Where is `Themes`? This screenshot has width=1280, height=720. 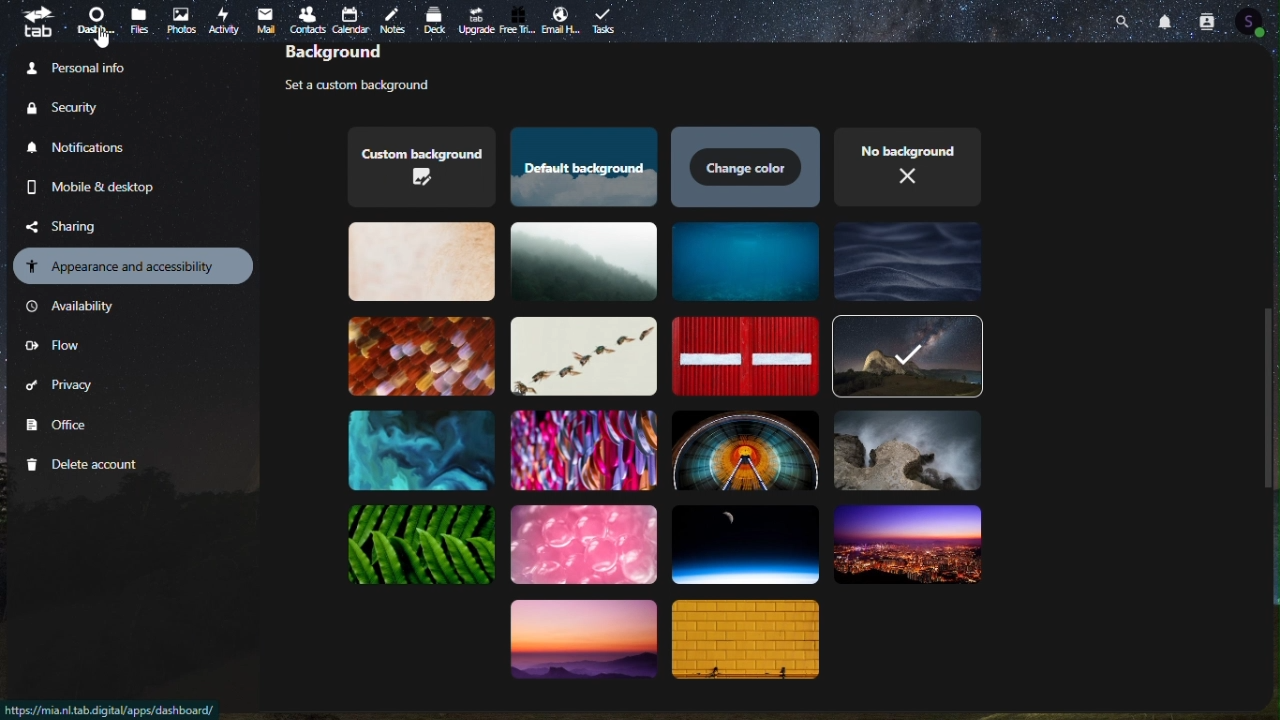
Themes is located at coordinates (415, 166).